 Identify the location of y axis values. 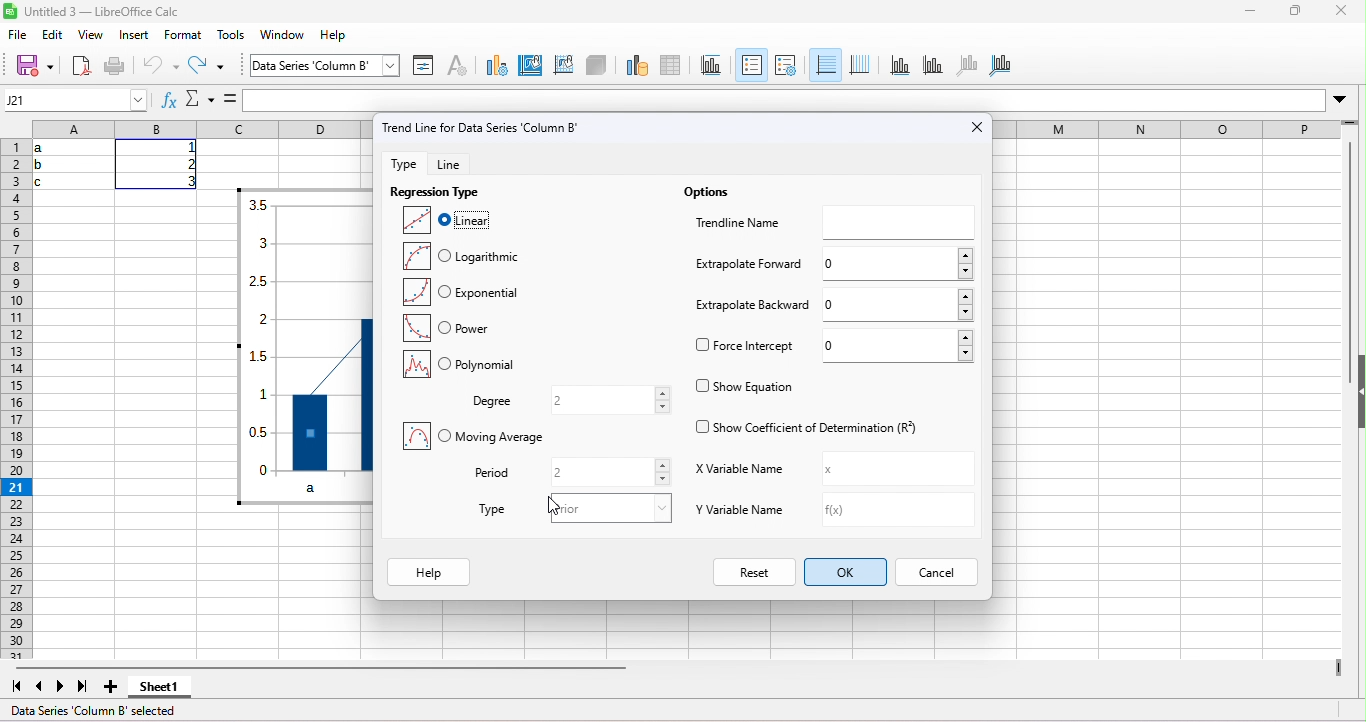
(259, 338).